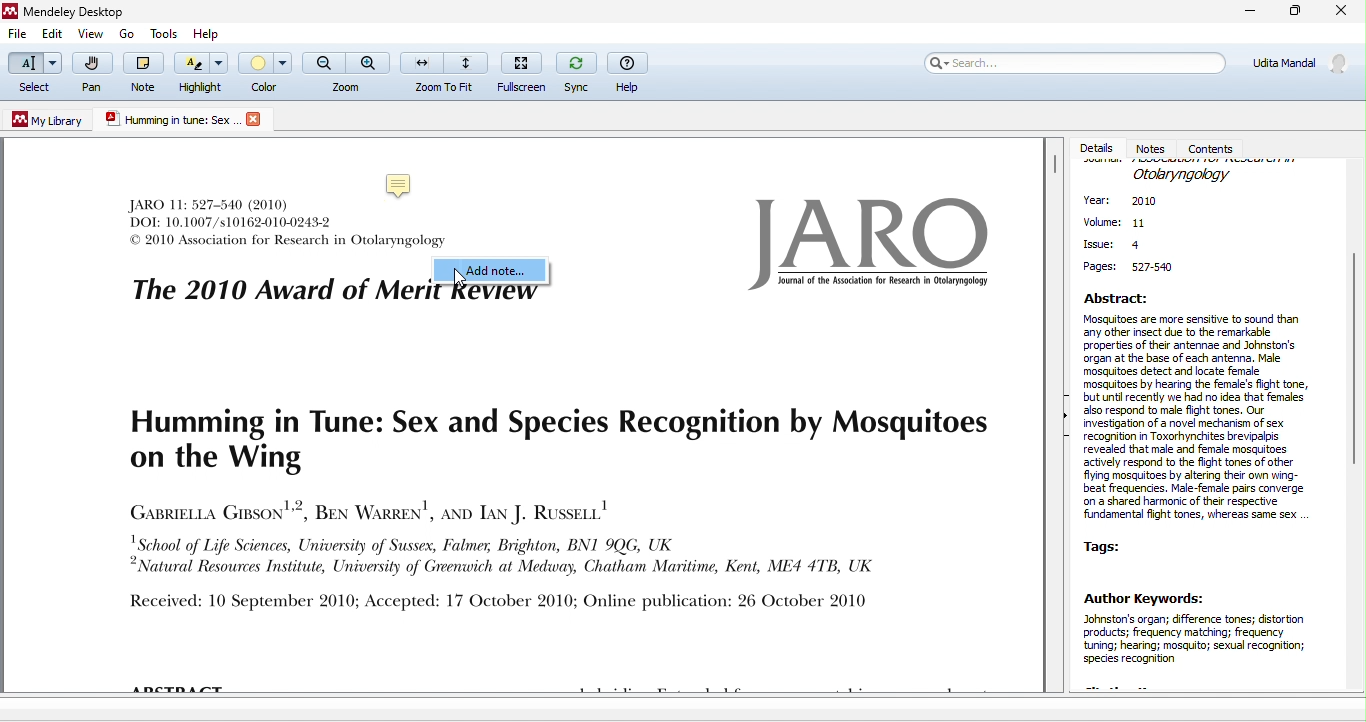 This screenshot has width=1366, height=722. Describe the element at coordinates (16, 35) in the screenshot. I see `file` at that location.